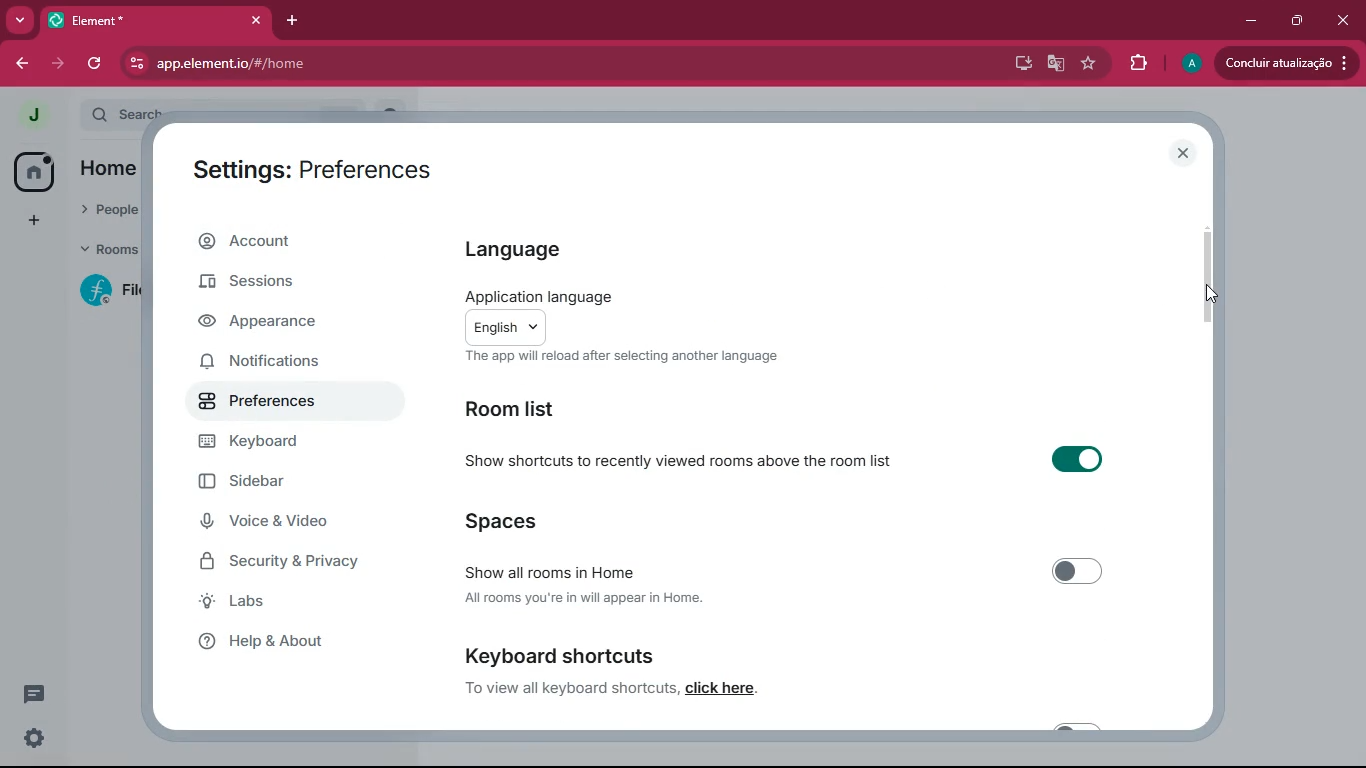 The height and width of the screenshot is (768, 1366). What do you see at coordinates (1077, 571) in the screenshot?
I see `Toggle` at bounding box center [1077, 571].